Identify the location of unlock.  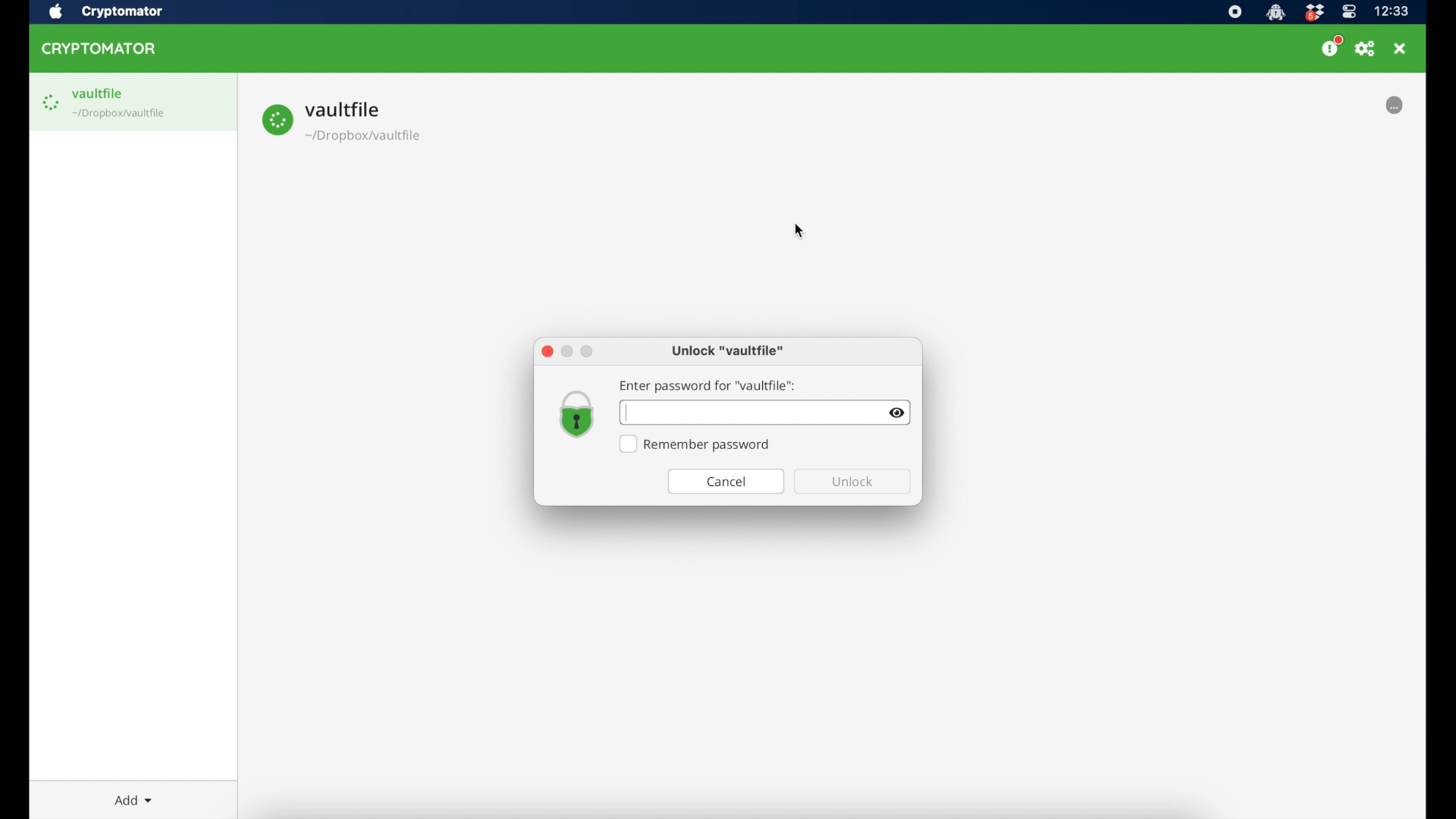
(852, 481).